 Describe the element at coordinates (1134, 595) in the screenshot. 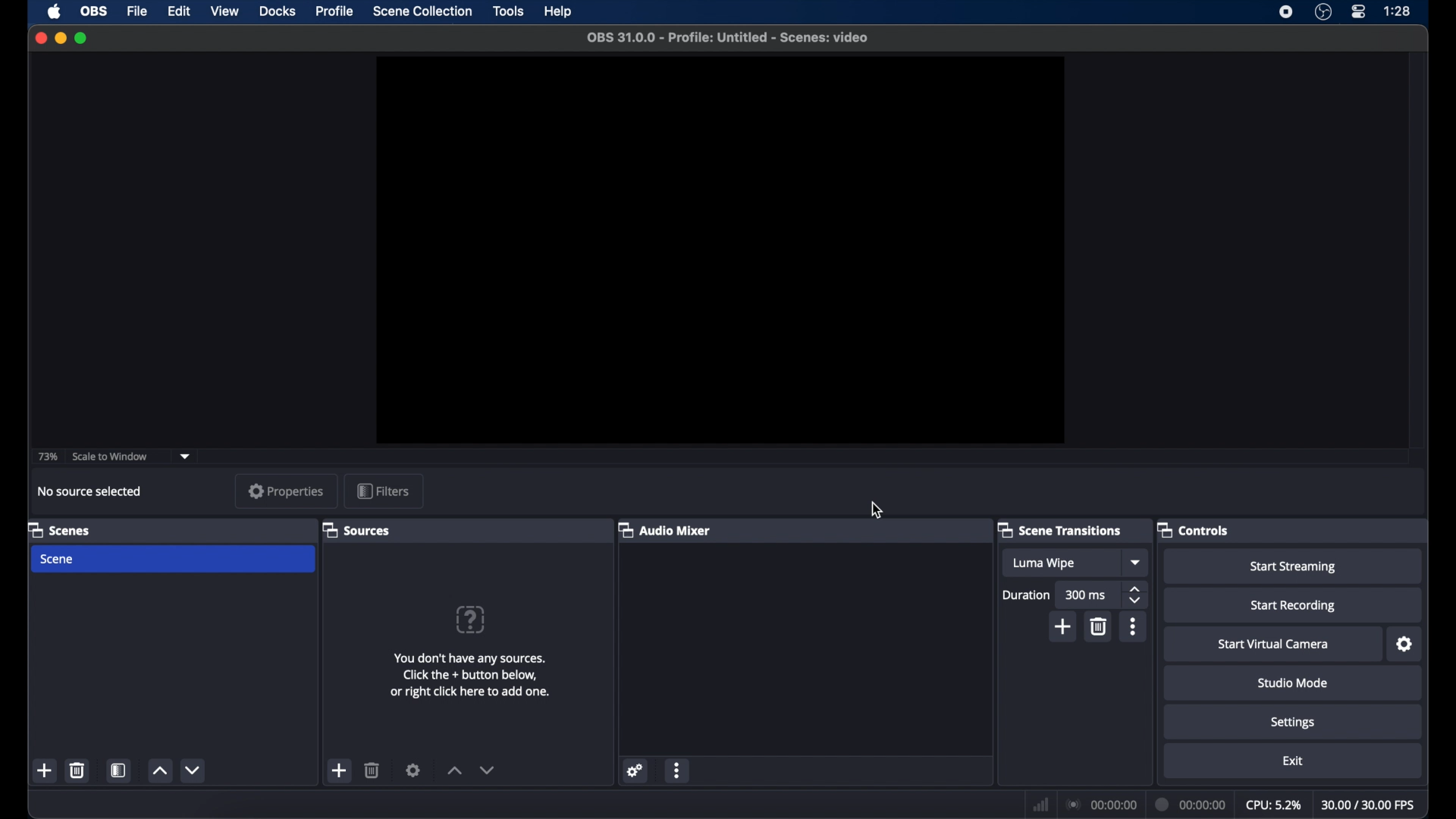

I see `stepper buttons` at that location.